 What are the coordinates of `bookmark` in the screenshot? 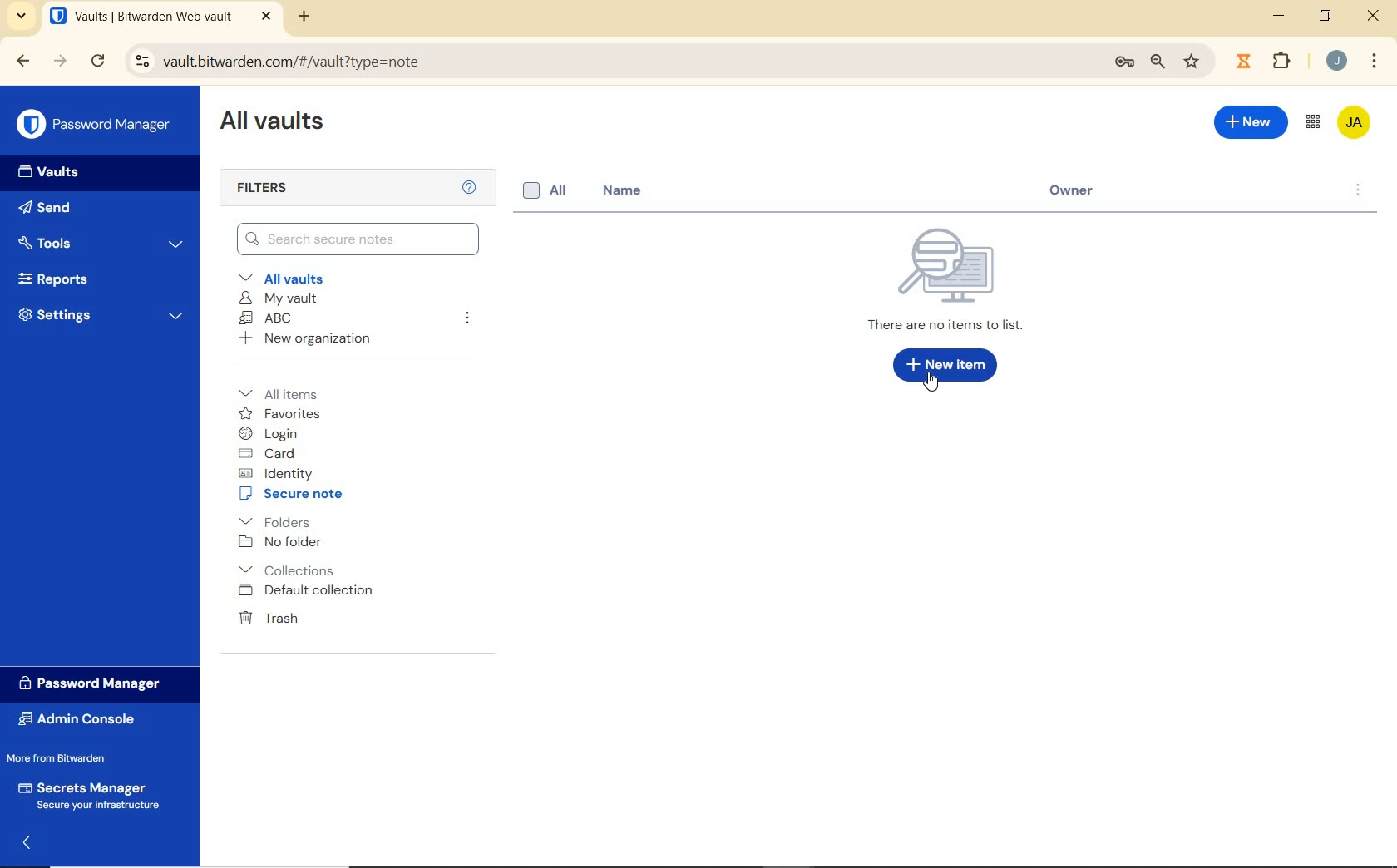 It's located at (1193, 62).